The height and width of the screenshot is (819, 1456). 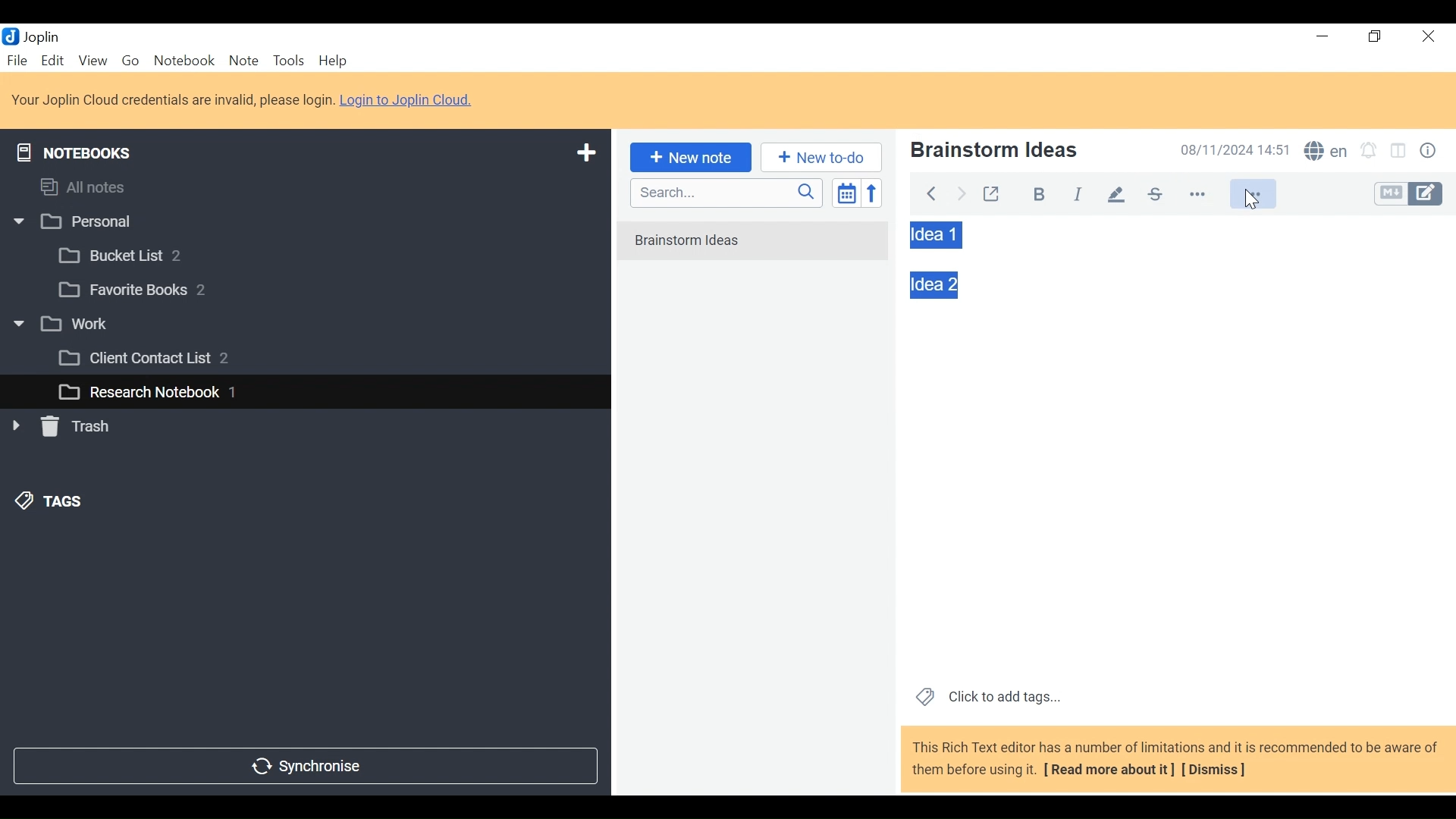 What do you see at coordinates (1079, 193) in the screenshot?
I see `italiac` at bounding box center [1079, 193].